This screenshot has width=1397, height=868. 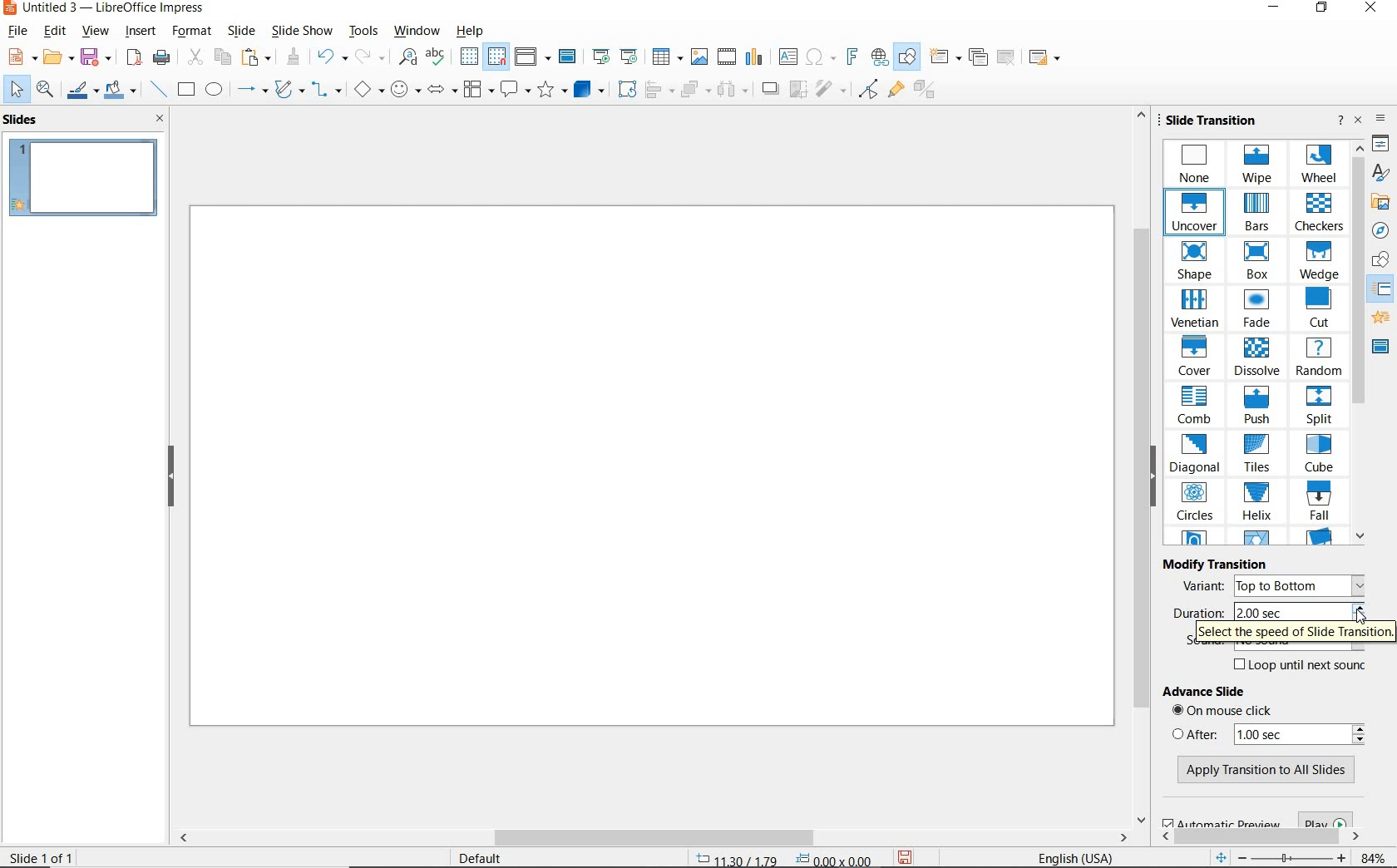 What do you see at coordinates (1005, 57) in the screenshot?
I see `DELETE SLIDE` at bounding box center [1005, 57].